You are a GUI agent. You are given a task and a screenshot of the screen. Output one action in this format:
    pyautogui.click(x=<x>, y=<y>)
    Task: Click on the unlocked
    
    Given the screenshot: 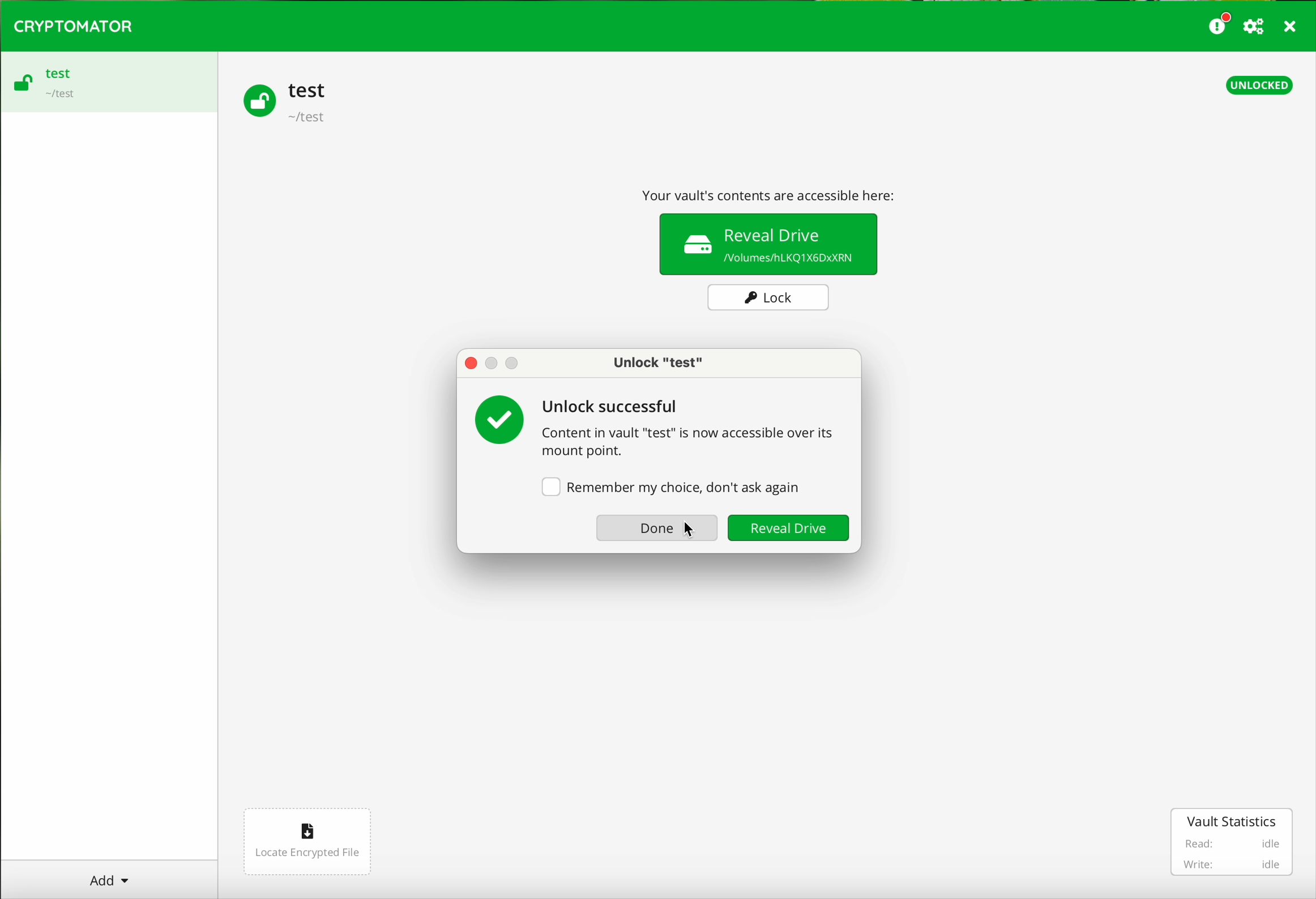 What is the action you would take?
    pyautogui.click(x=1260, y=84)
    